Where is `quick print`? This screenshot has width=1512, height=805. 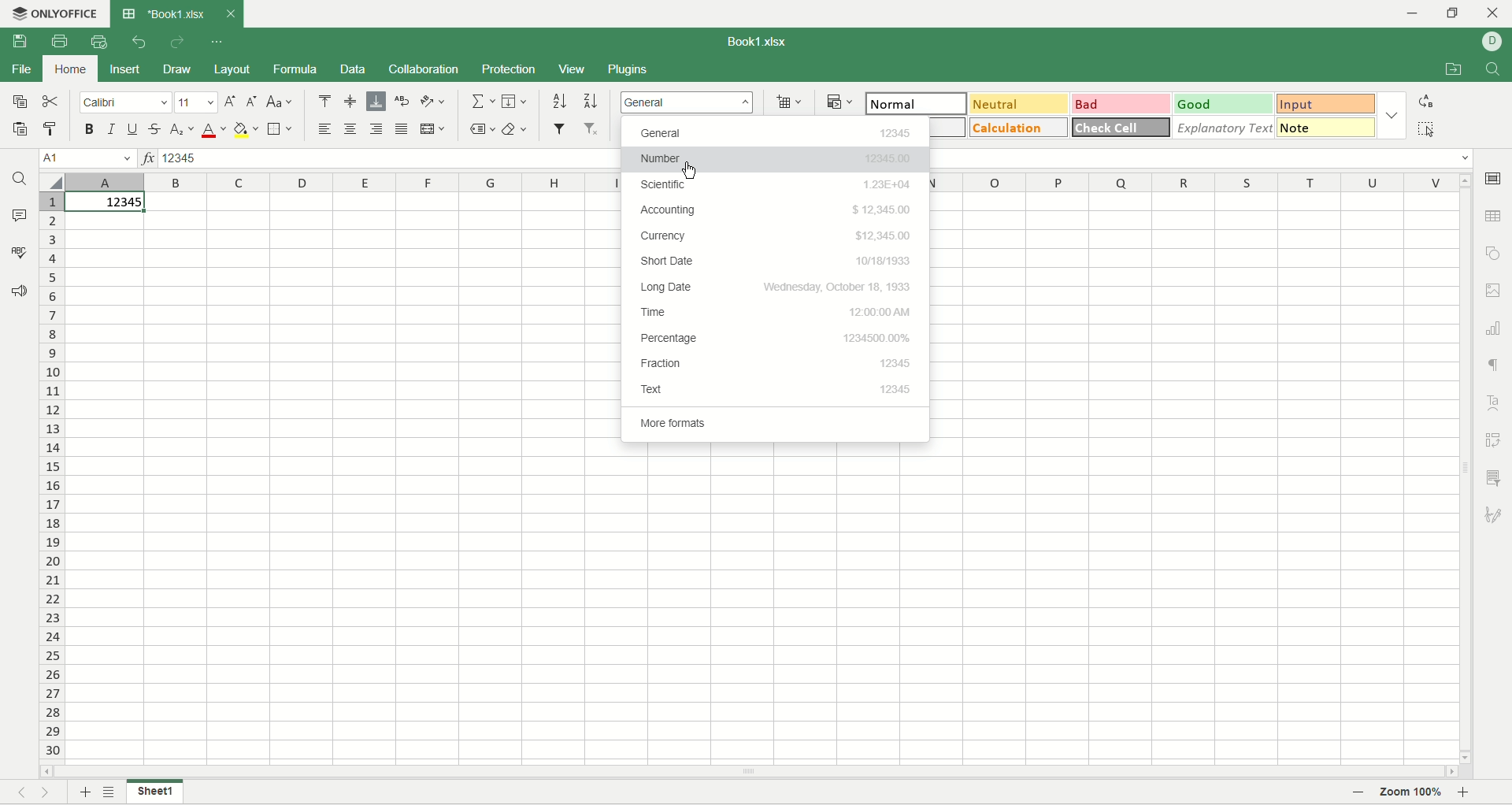 quick print is located at coordinates (99, 43).